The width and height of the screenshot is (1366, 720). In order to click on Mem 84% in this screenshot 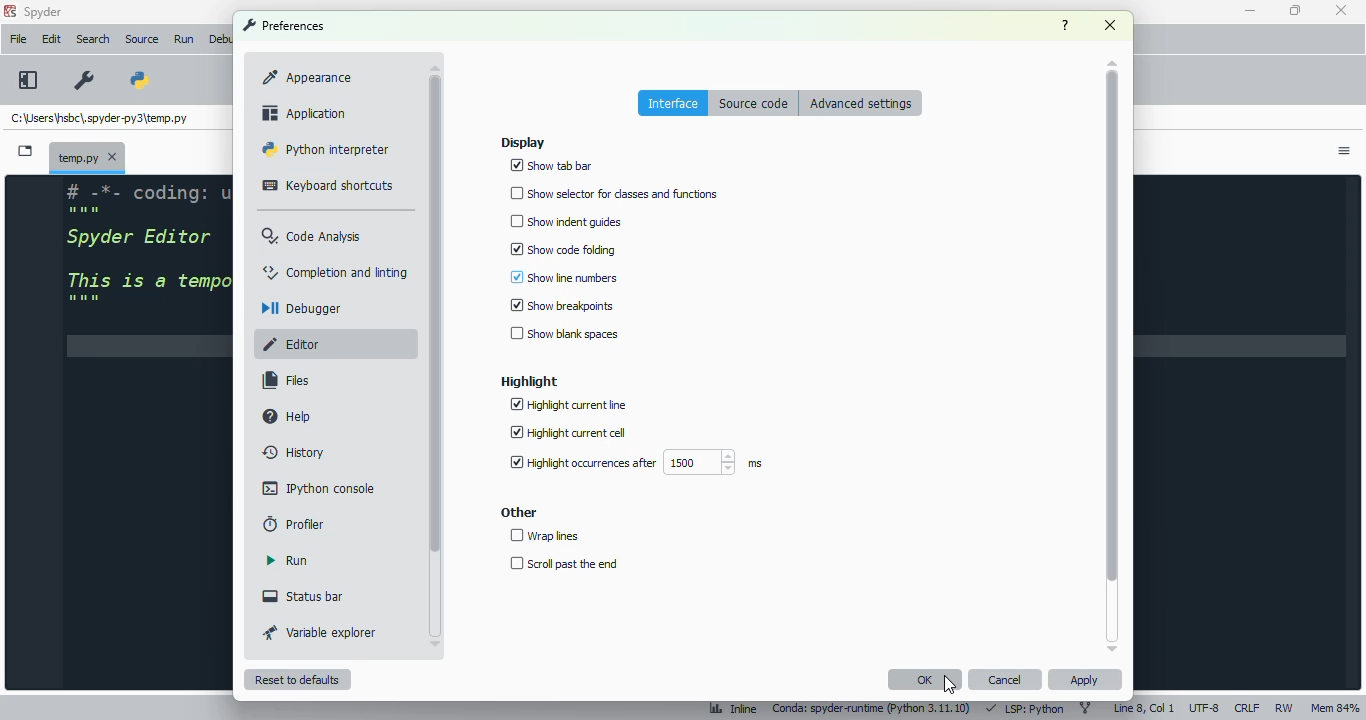, I will do `click(1336, 705)`.